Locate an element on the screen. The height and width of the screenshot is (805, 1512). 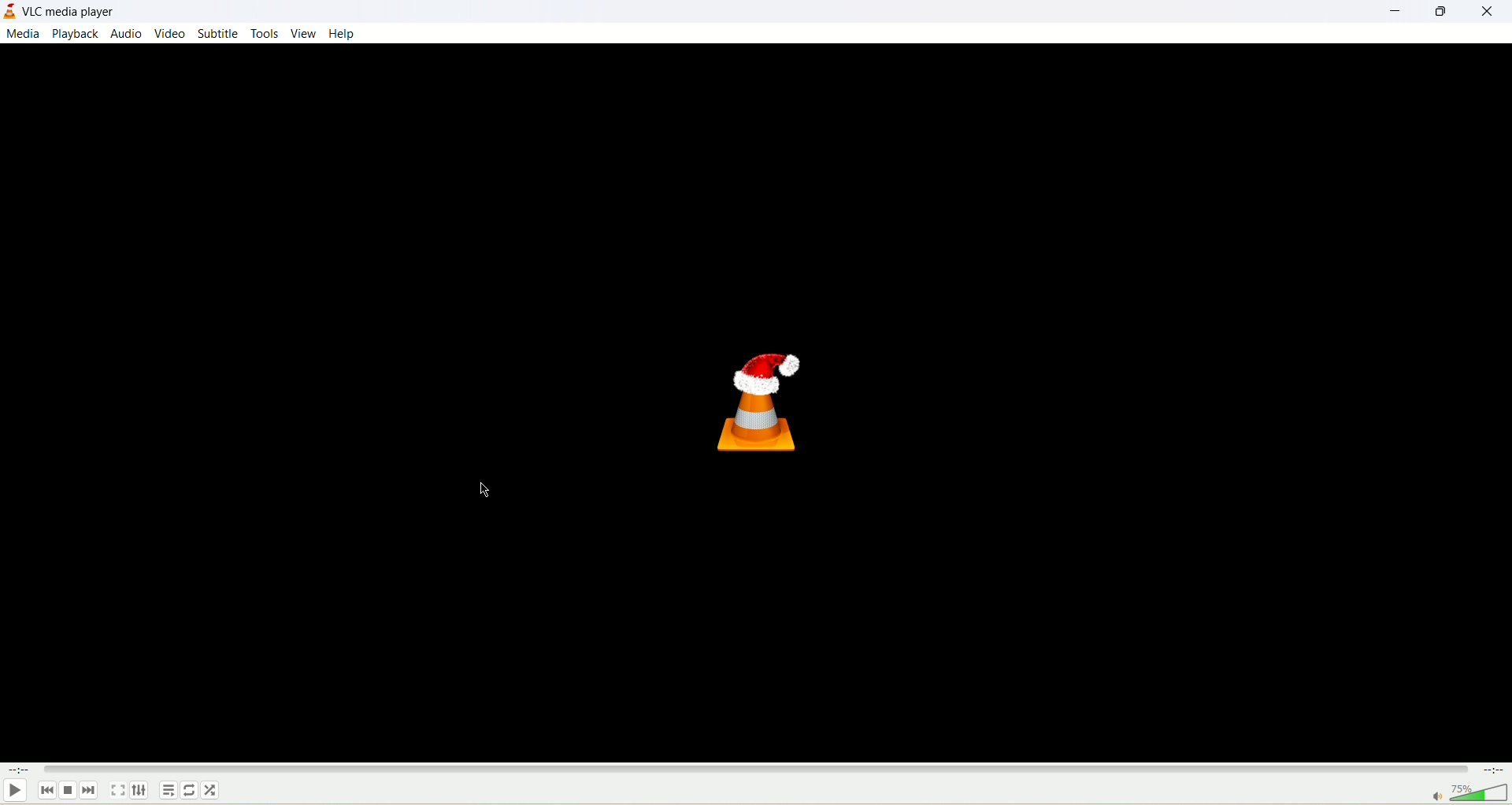
extended settings is located at coordinates (140, 788).